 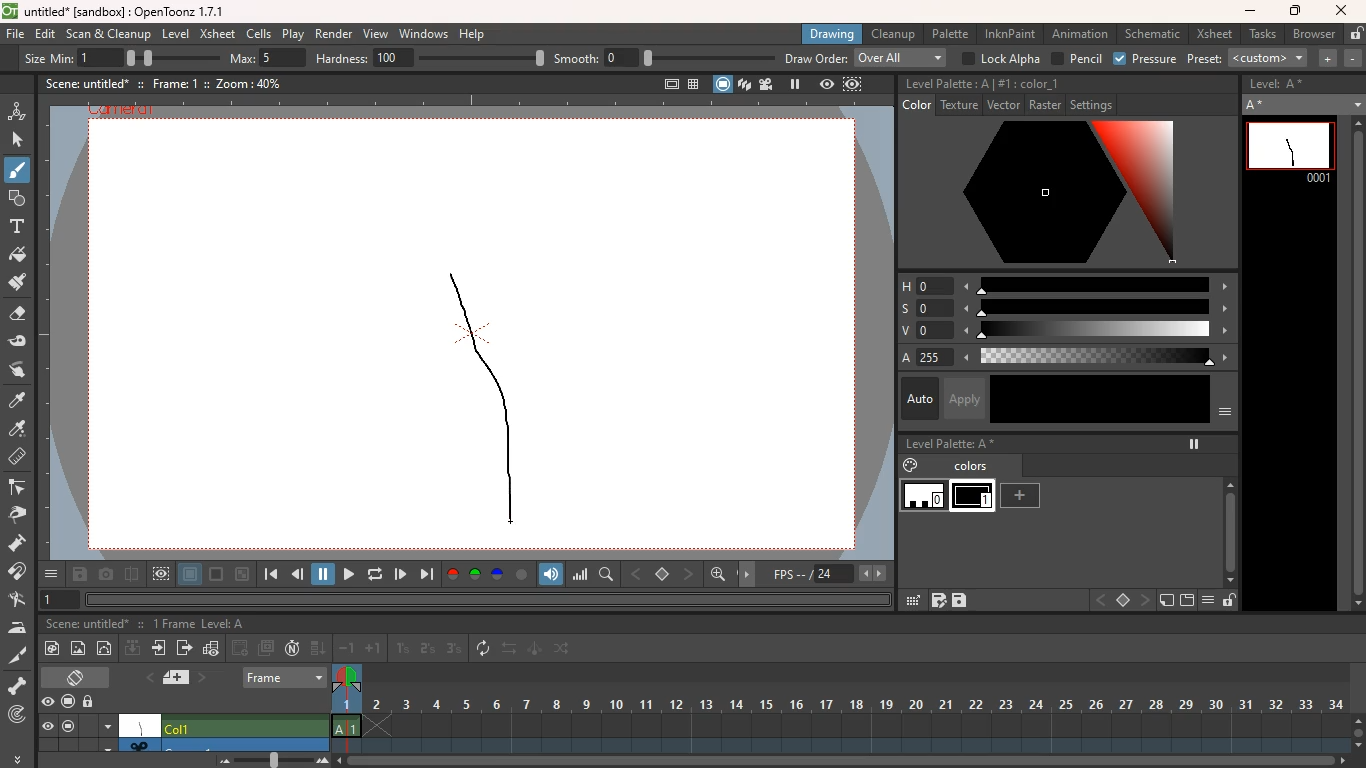 What do you see at coordinates (1290, 150) in the screenshot?
I see `line 0001` at bounding box center [1290, 150].